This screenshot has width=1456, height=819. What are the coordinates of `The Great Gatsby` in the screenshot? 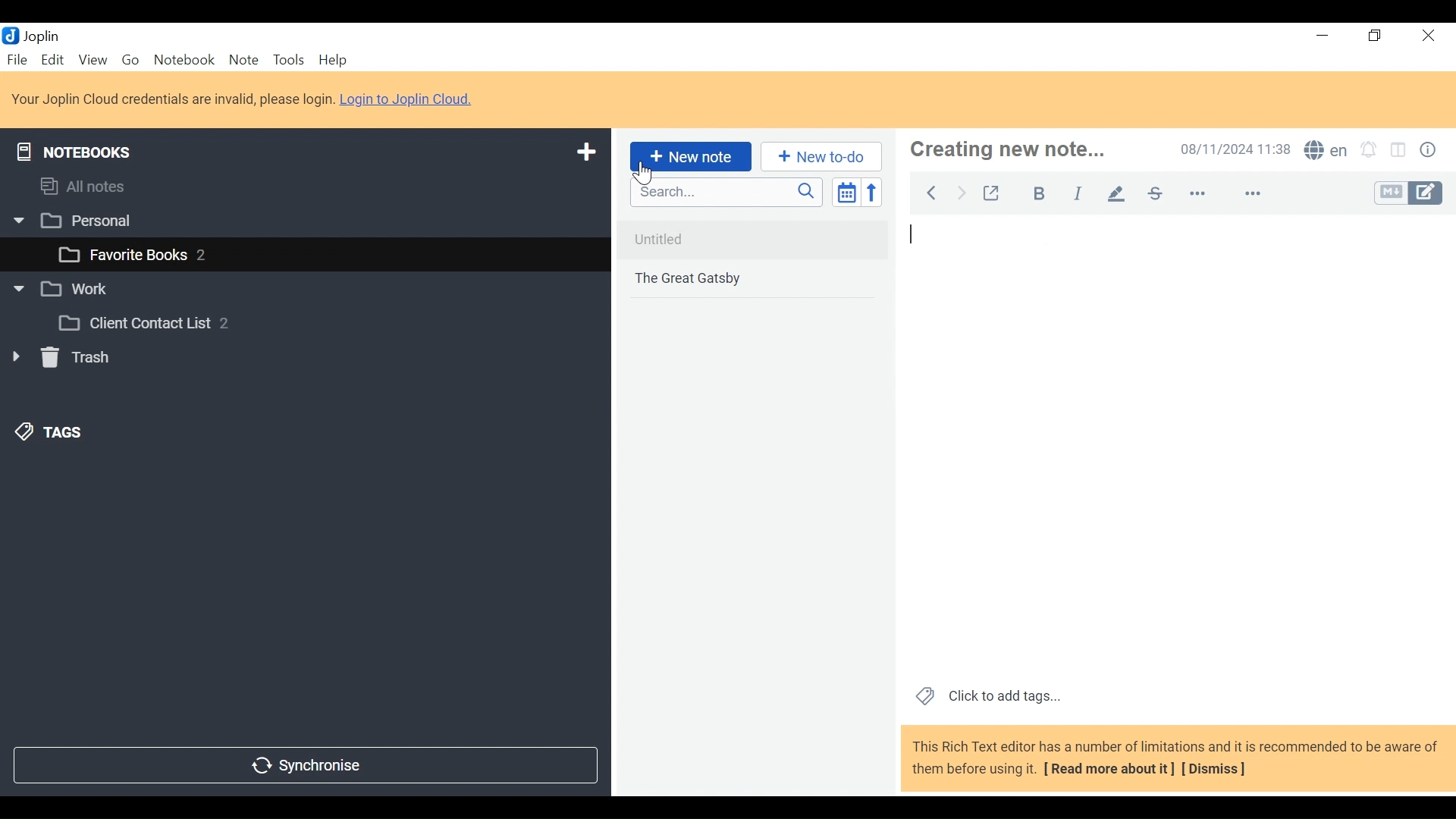 It's located at (755, 280).